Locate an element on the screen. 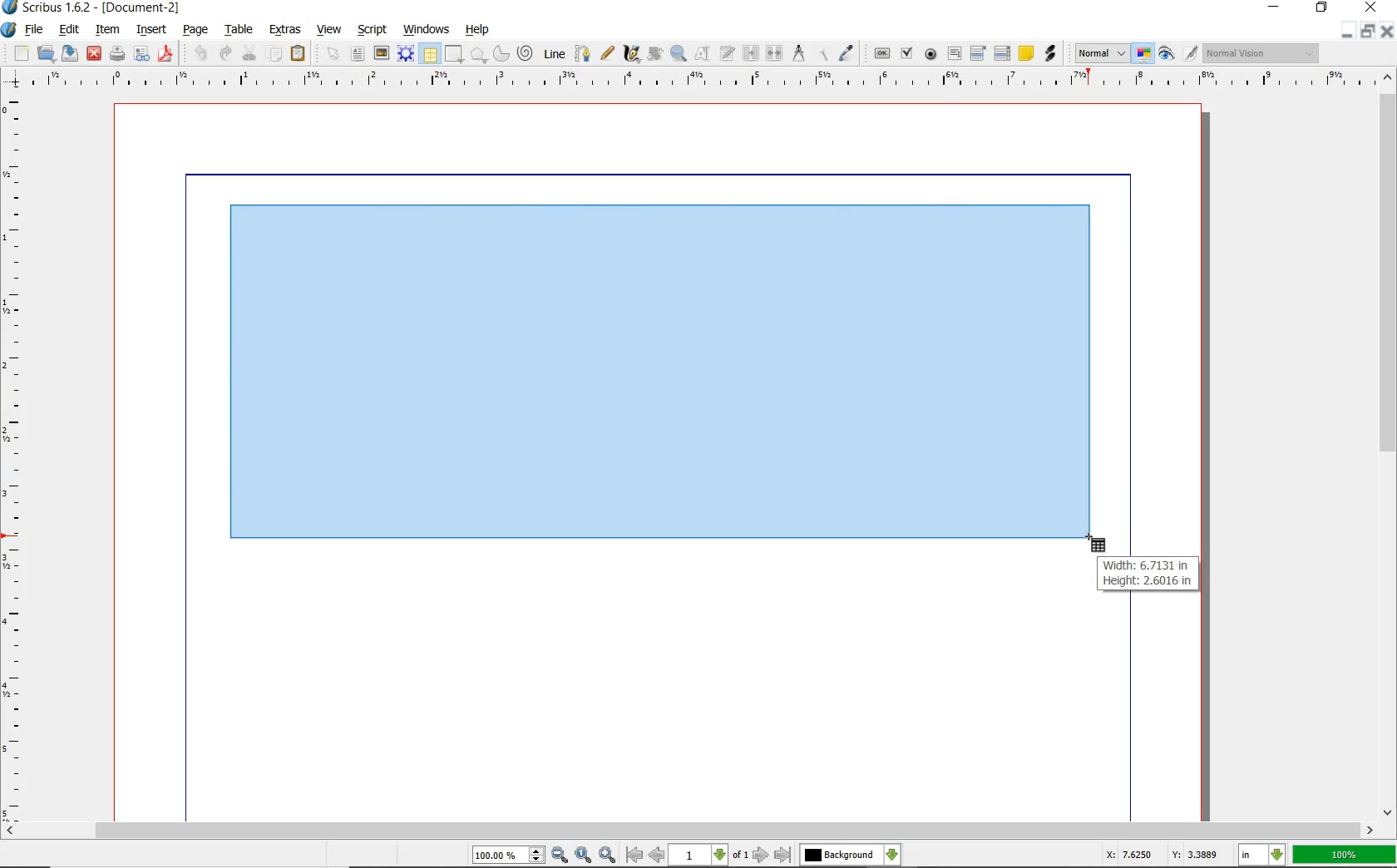 This screenshot has width=1397, height=868. pdf radio button is located at coordinates (931, 55).